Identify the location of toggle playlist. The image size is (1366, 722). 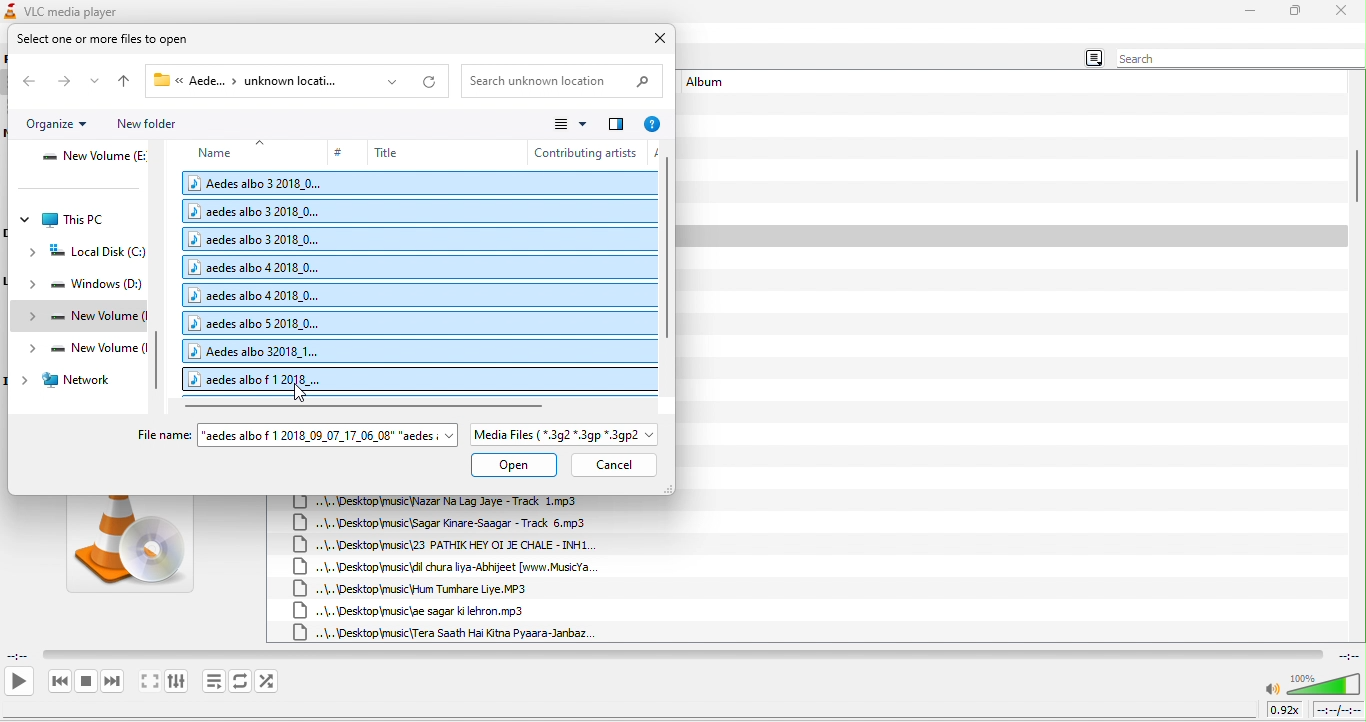
(214, 681).